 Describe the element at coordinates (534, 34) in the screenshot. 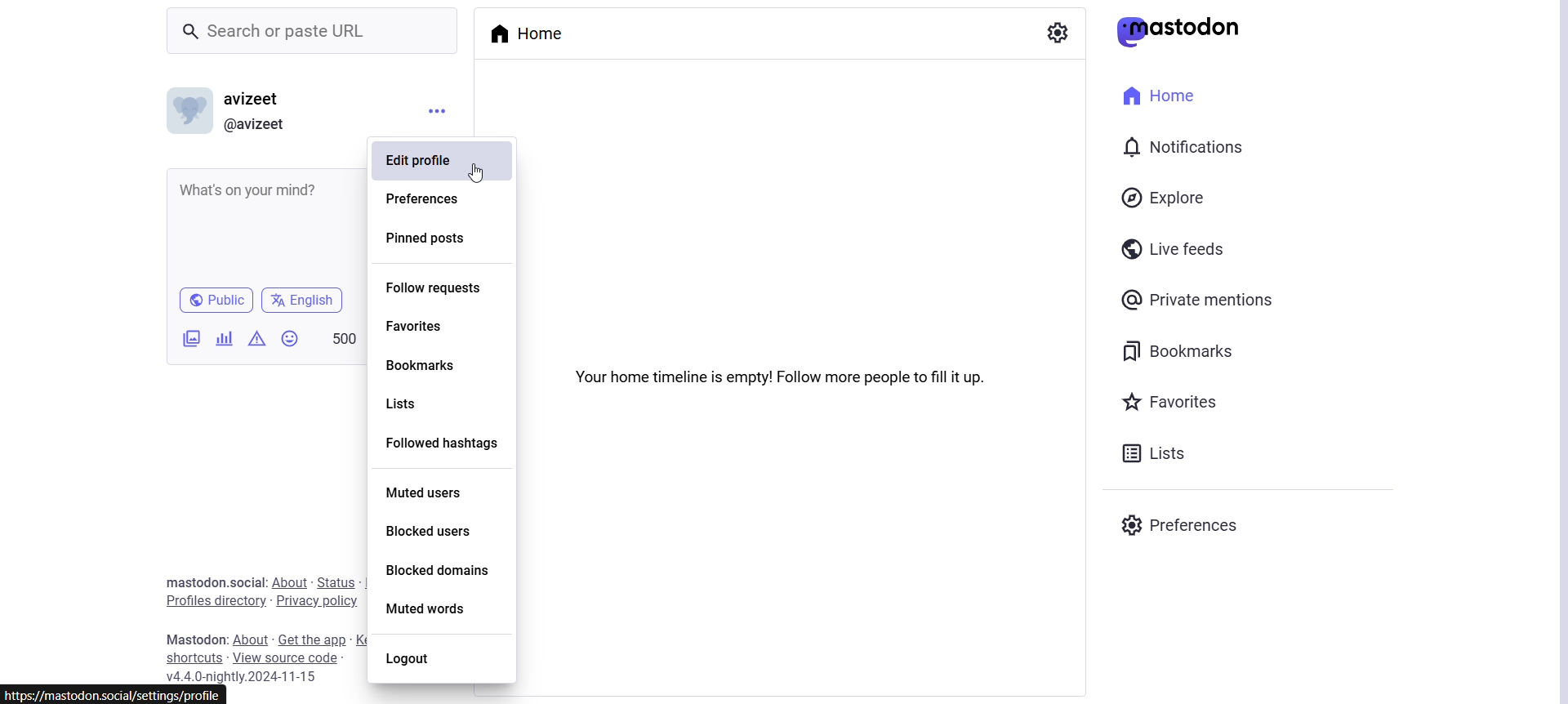

I see `Home` at that location.